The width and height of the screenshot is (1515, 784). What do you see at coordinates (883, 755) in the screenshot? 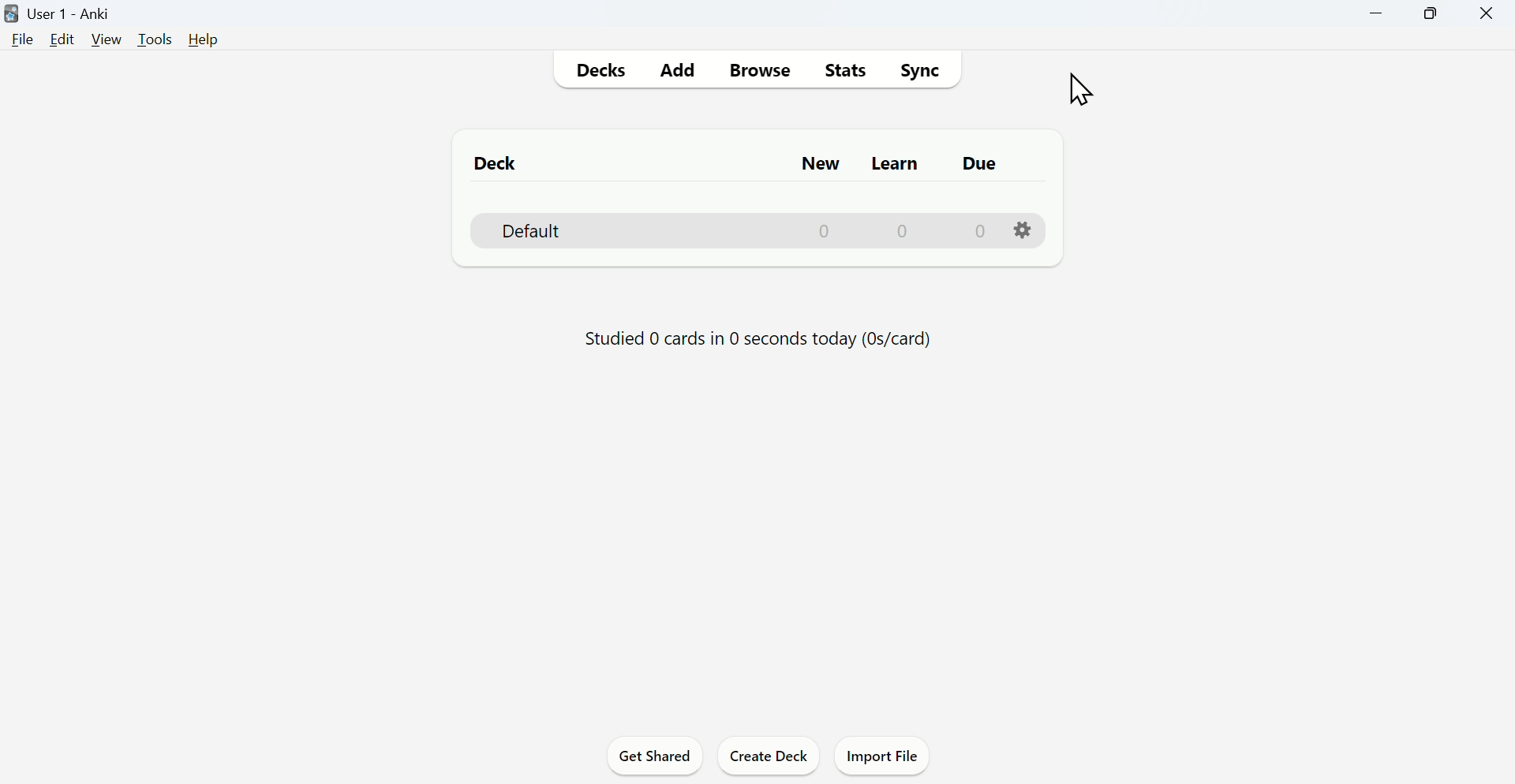
I see `Import File` at bounding box center [883, 755].